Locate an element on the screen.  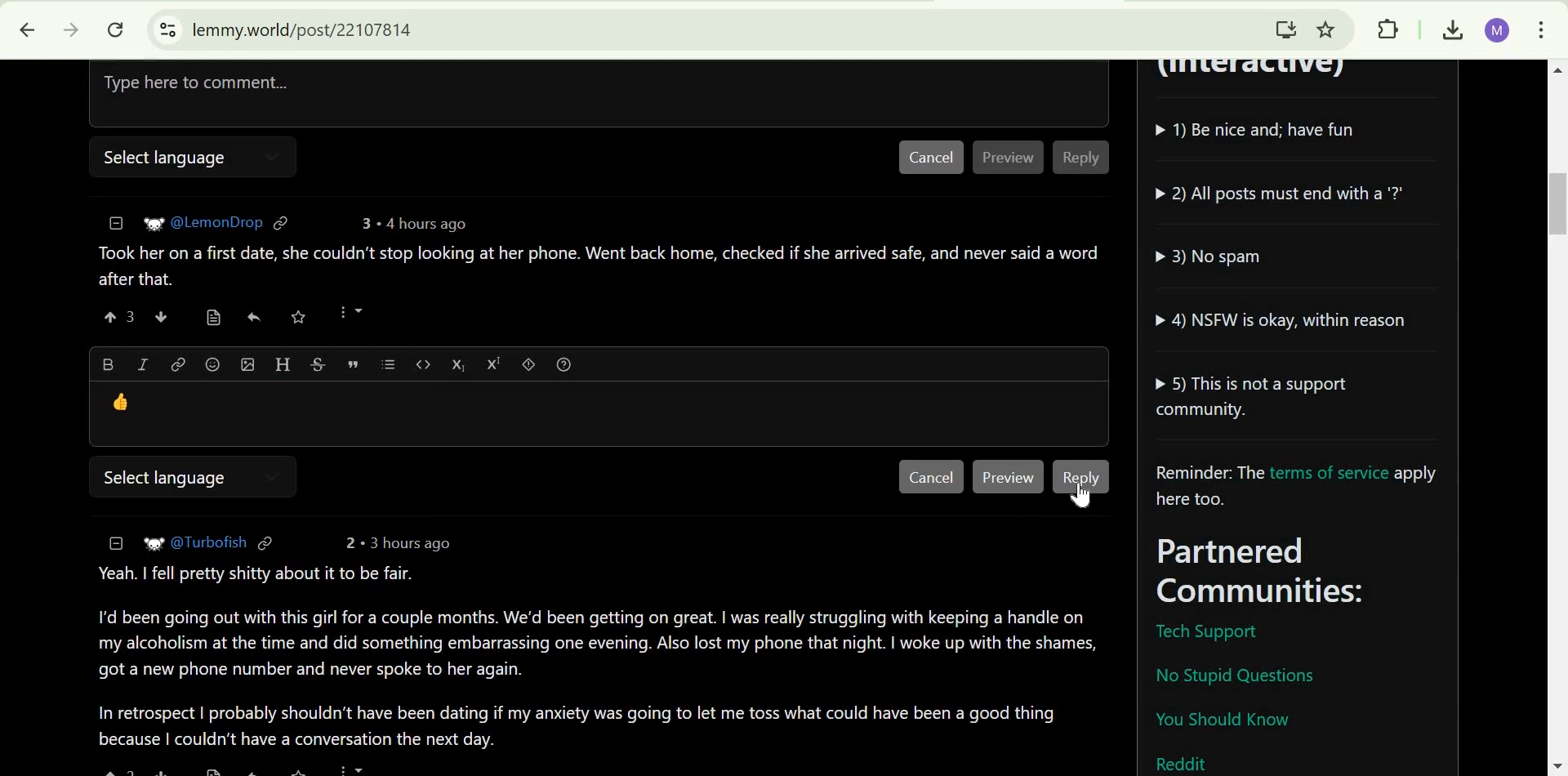
Reply is located at coordinates (1083, 477).